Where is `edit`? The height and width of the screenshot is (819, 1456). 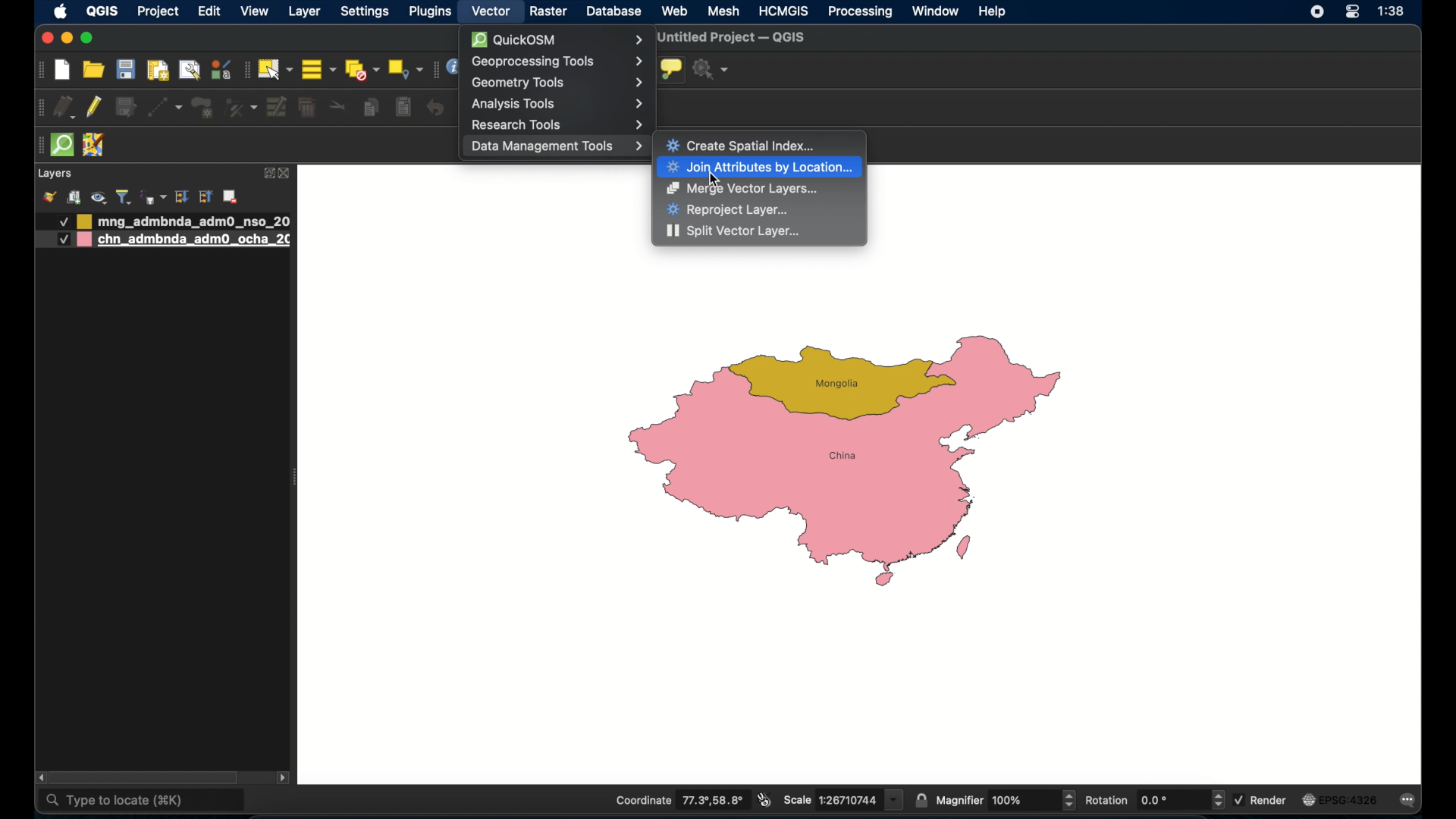
edit is located at coordinates (209, 11).